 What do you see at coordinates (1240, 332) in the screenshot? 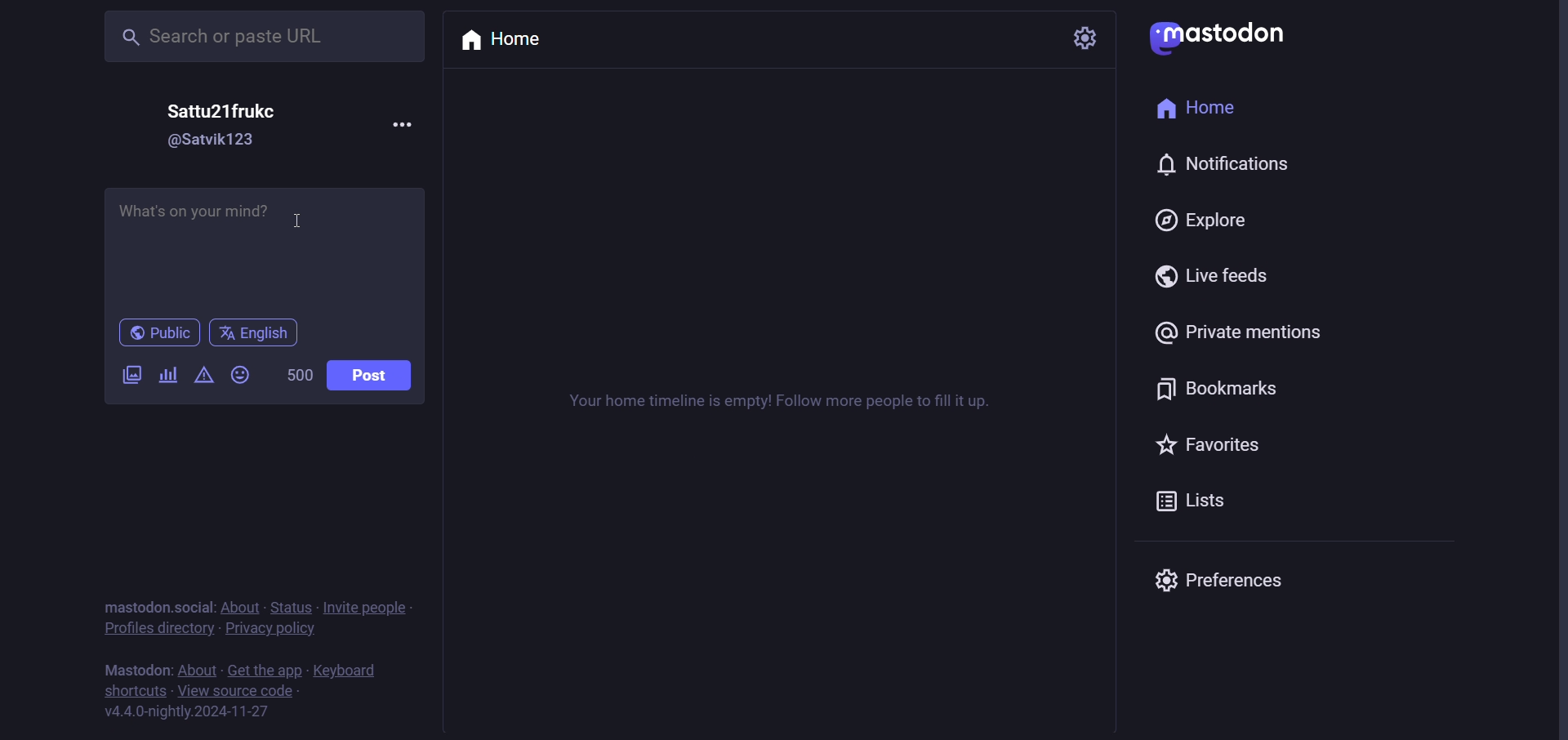
I see `private mentions` at bounding box center [1240, 332].